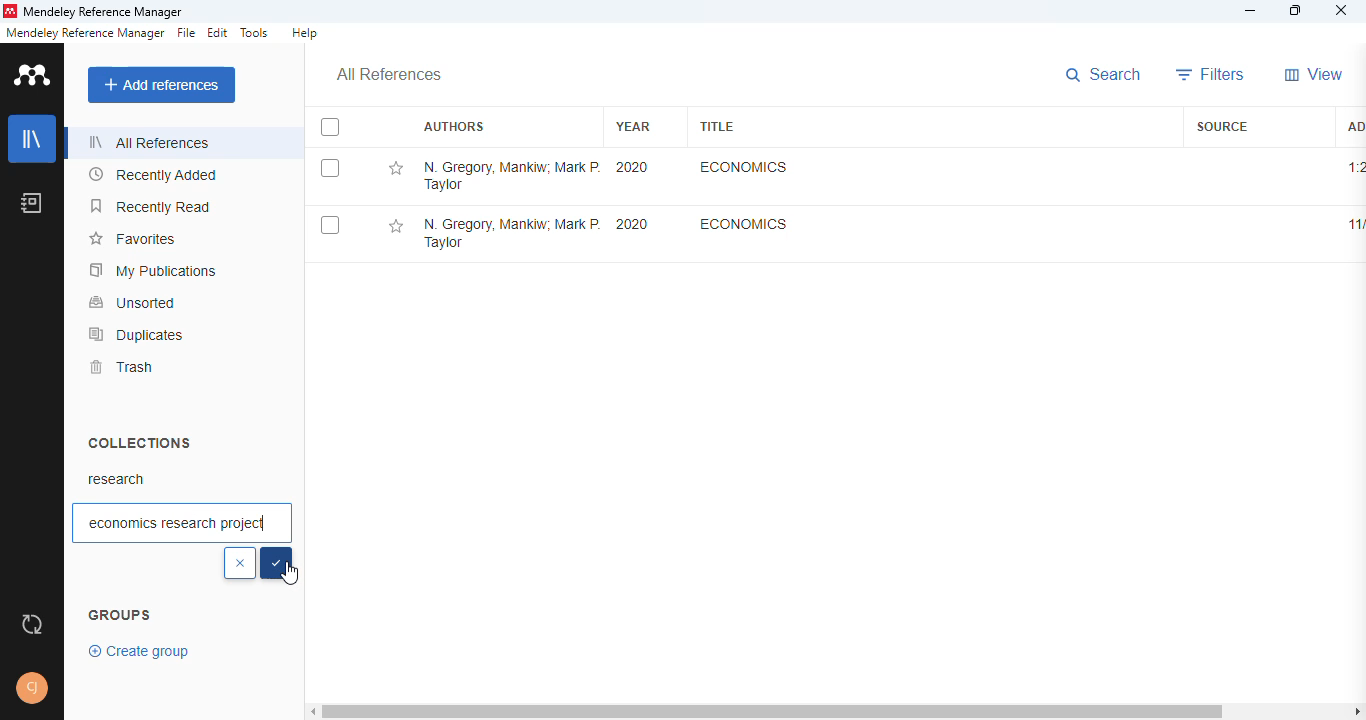 The image size is (1366, 720). What do you see at coordinates (85, 33) in the screenshot?
I see `mendeley reference manager` at bounding box center [85, 33].